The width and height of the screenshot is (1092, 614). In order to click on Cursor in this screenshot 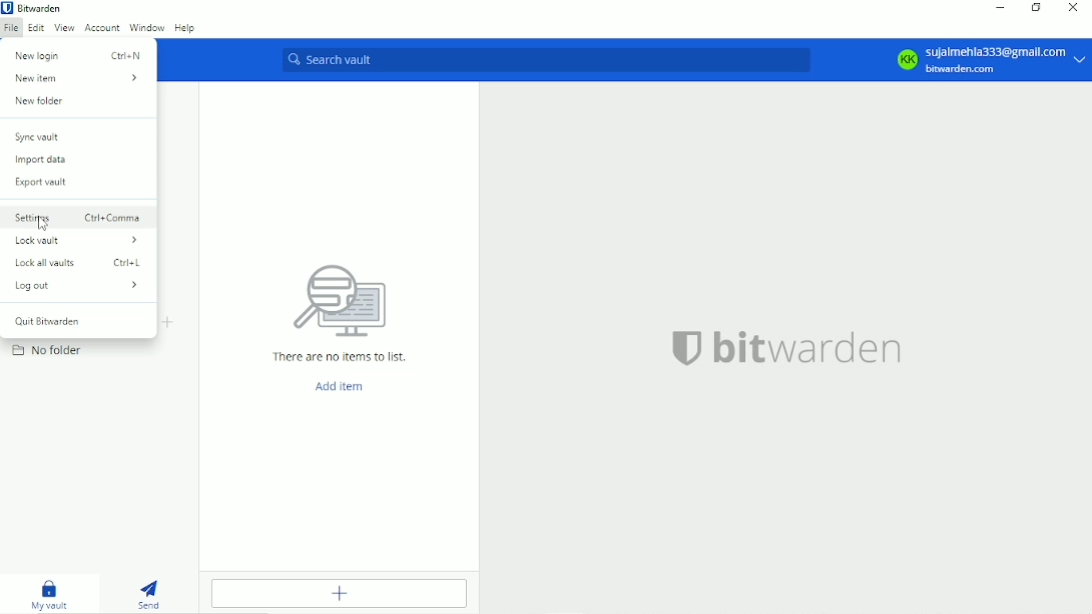, I will do `click(42, 223)`.